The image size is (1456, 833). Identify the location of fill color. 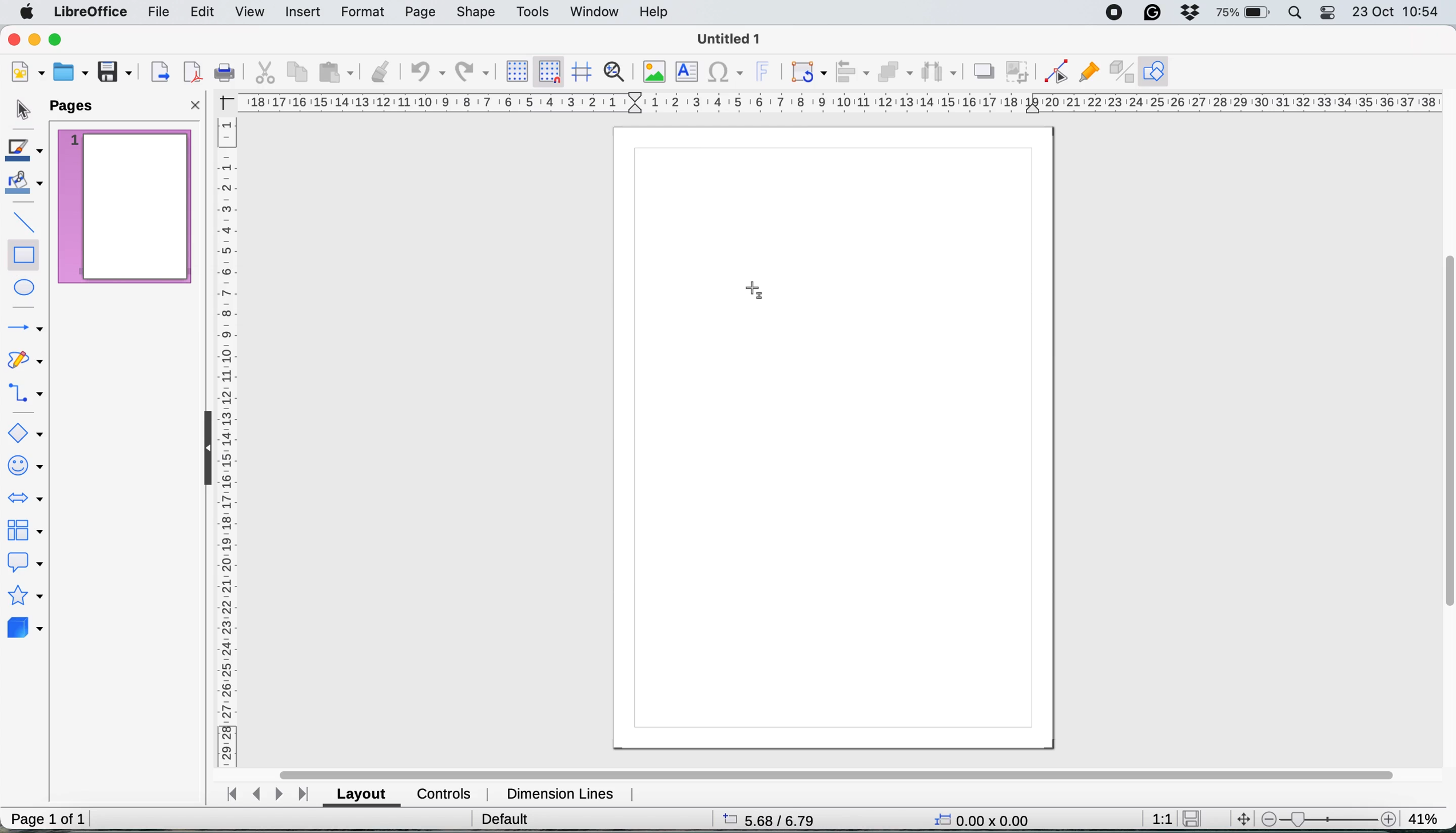
(27, 187).